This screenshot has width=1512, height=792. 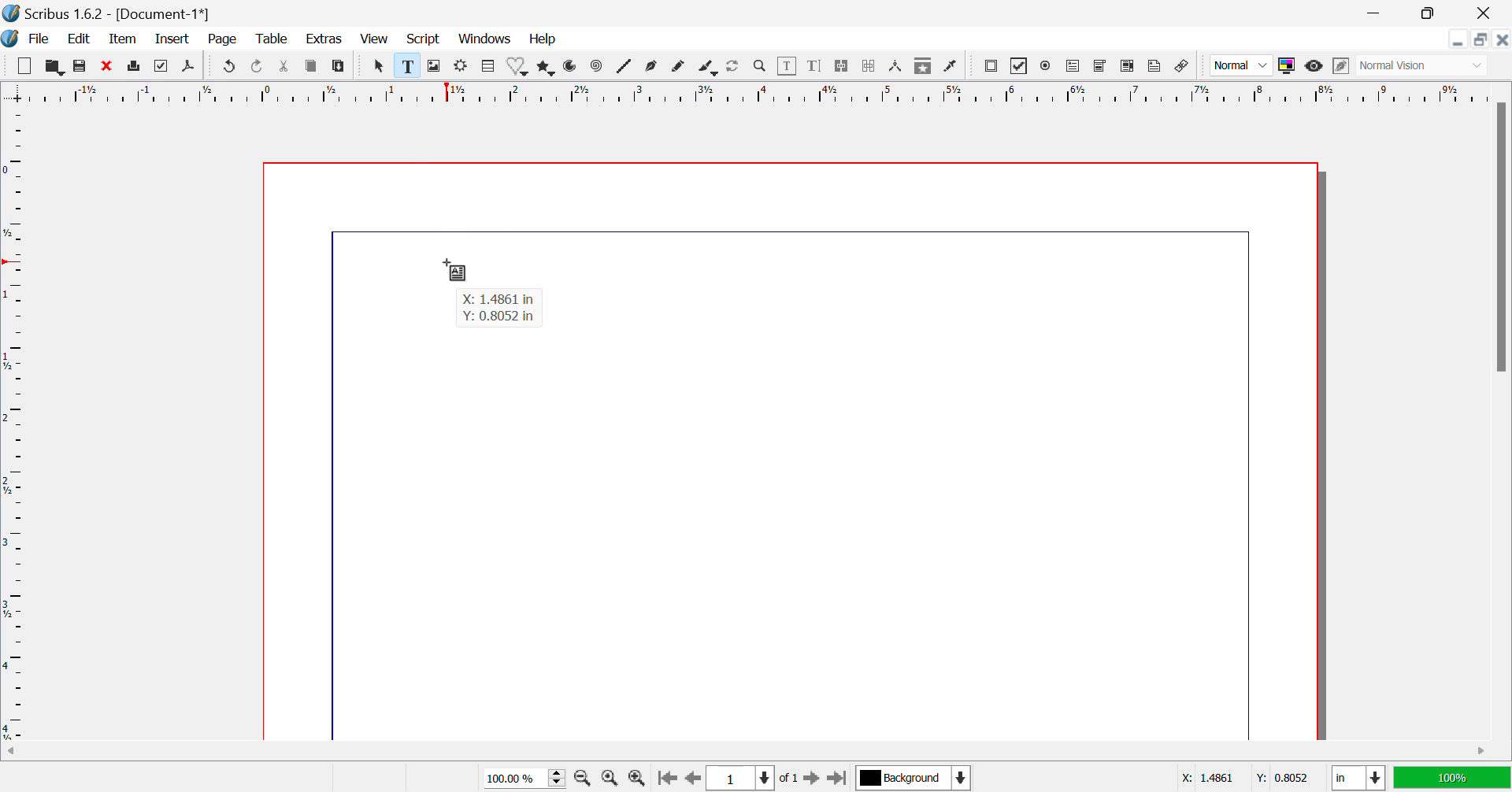 I want to click on Normal, so click(x=1241, y=68).